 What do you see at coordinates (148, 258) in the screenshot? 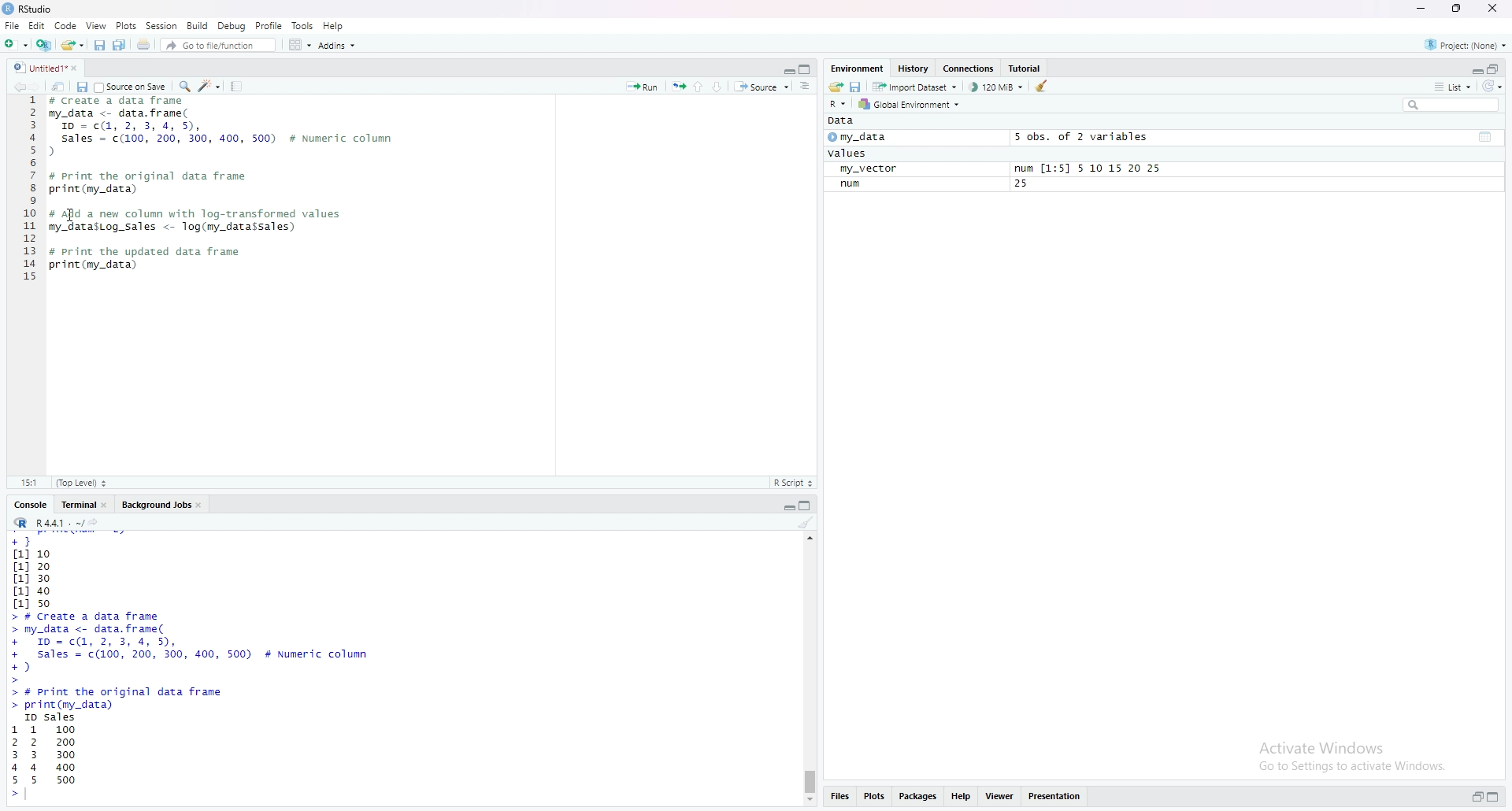
I see `code to print the data` at bounding box center [148, 258].